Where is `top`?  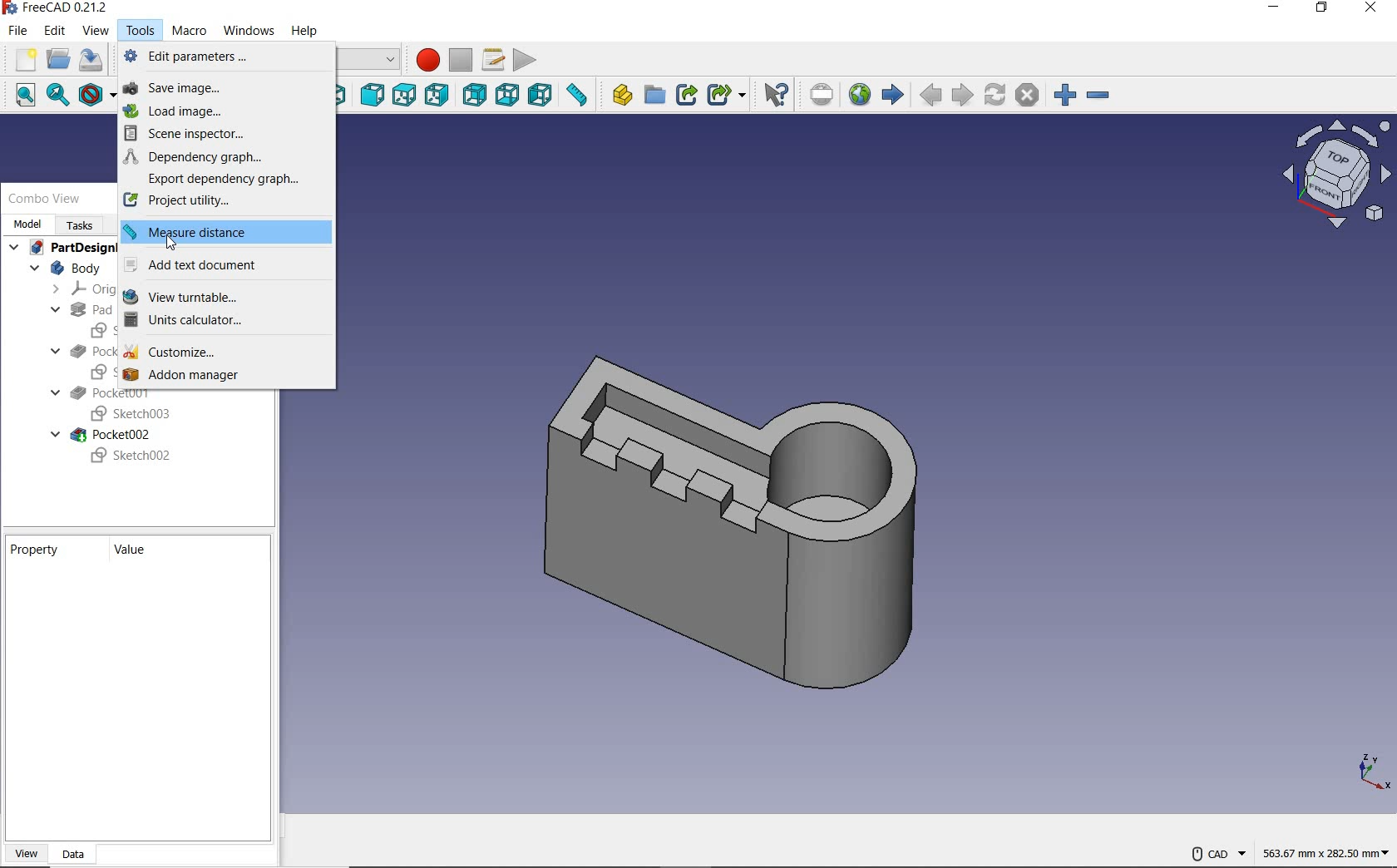
top is located at coordinates (403, 96).